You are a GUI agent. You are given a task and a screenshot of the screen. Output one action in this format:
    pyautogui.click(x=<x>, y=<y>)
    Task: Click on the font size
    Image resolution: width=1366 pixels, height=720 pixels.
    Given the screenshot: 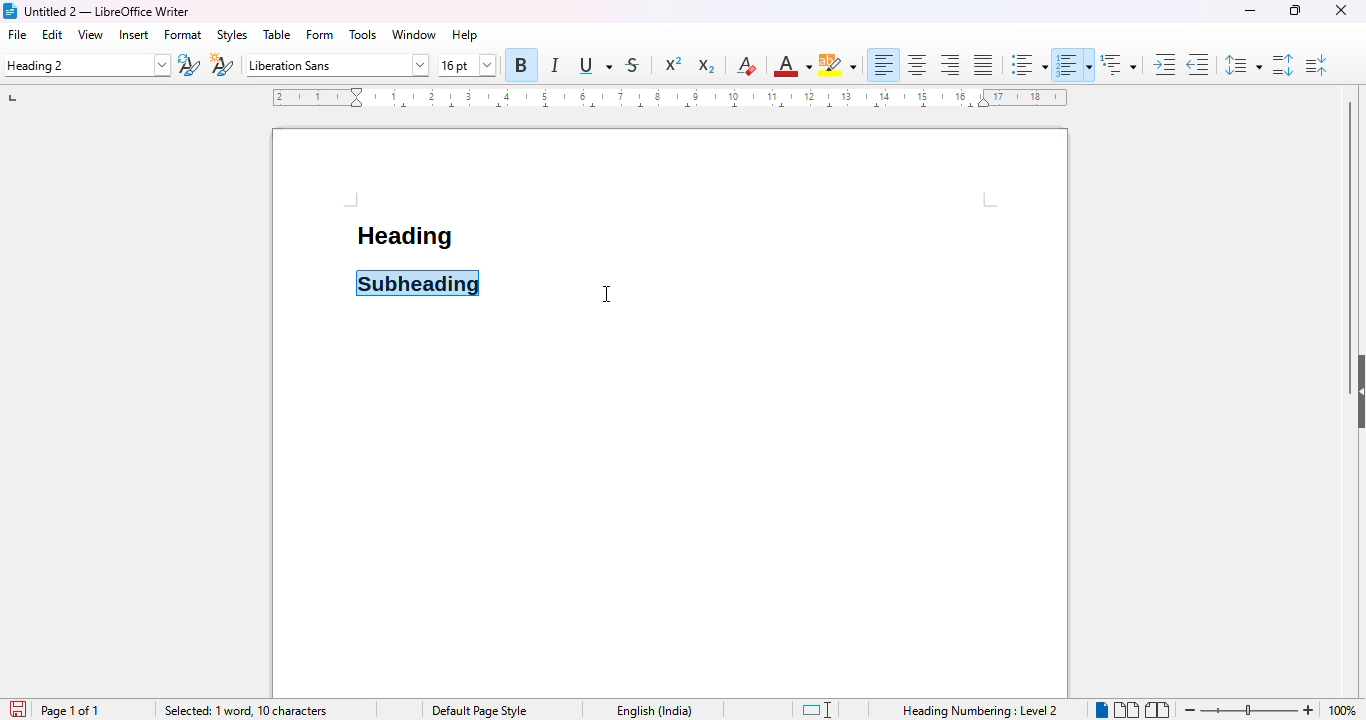 What is the action you would take?
    pyautogui.click(x=468, y=66)
    